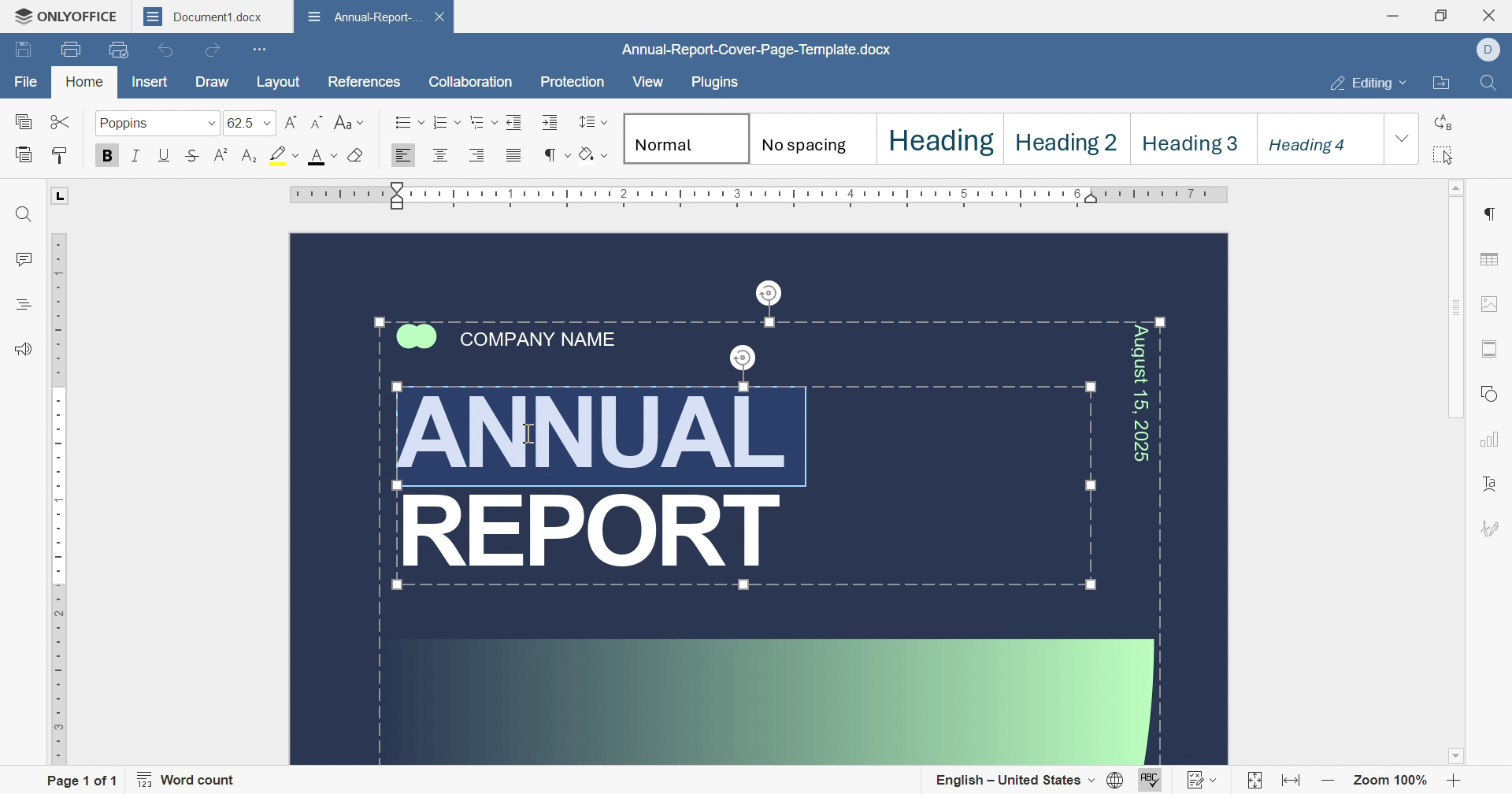  Describe the element at coordinates (409, 121) in the screenshot. I see `bullets` at that location.